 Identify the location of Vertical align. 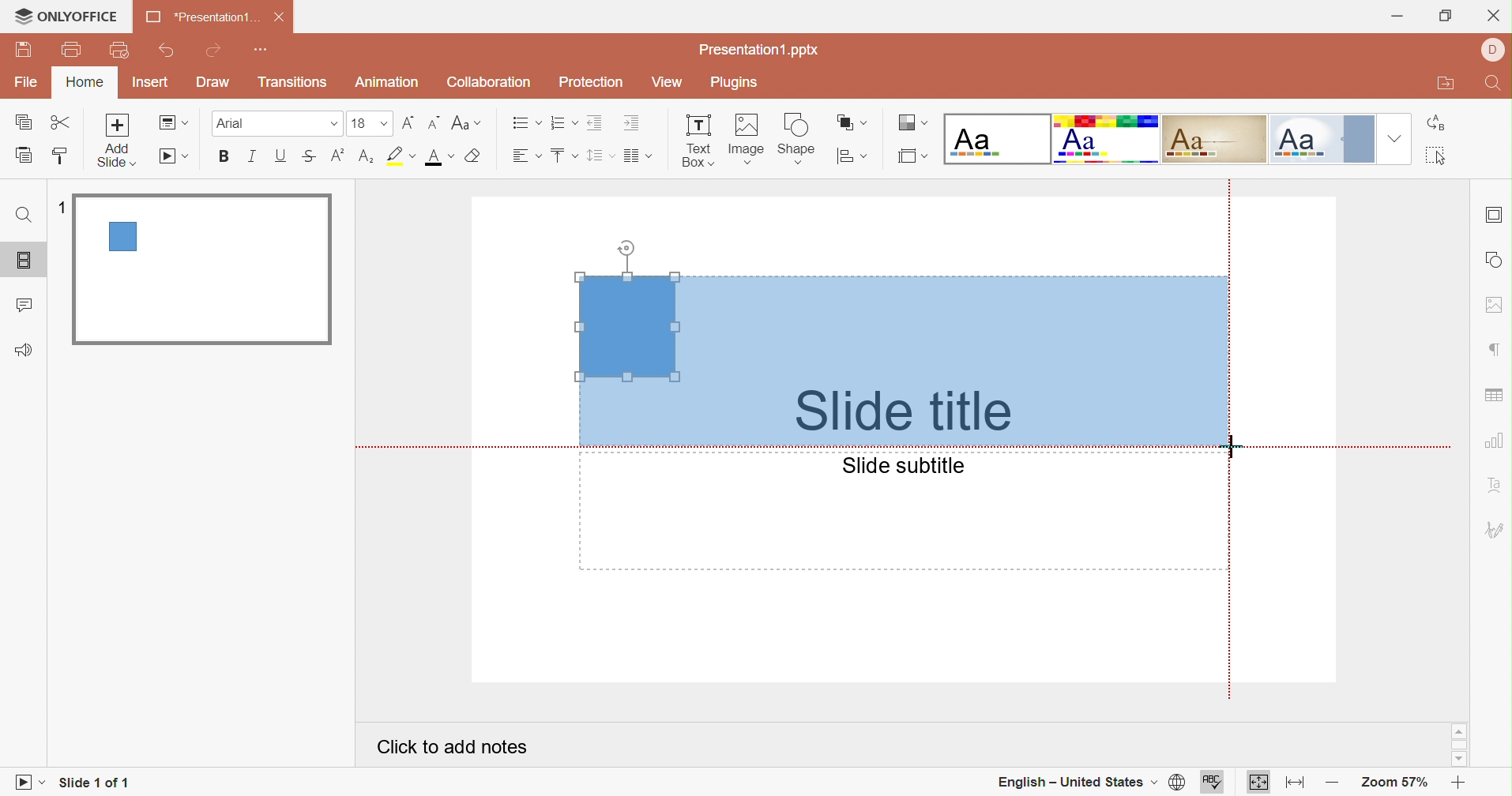
(564, 156).